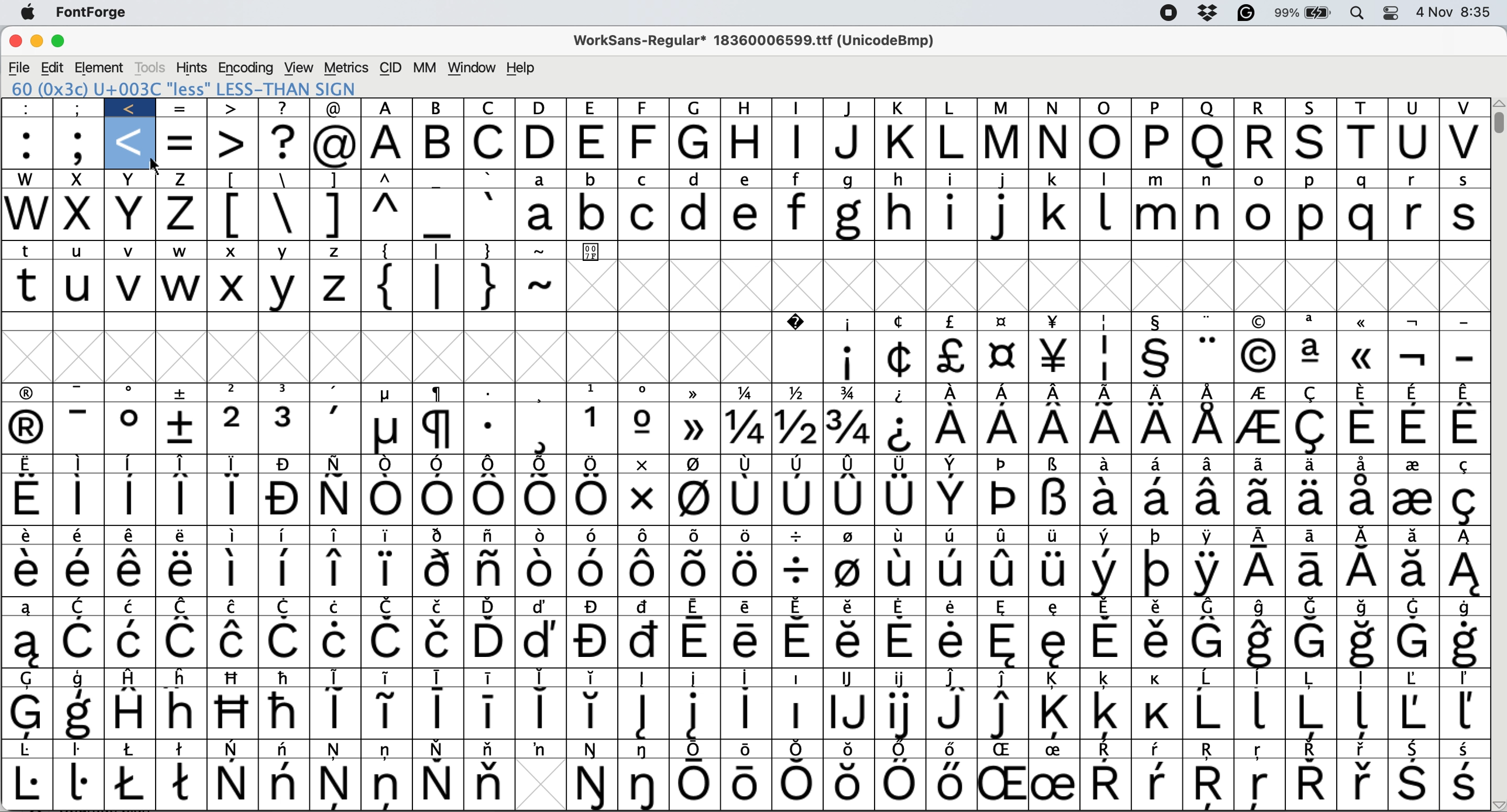 Image resolution: width=1507 pixels, height=812 pixels. What do you see at coordinates (176, 570) in the screenshot?
I see `Symbol` at bounding box center [176, 570].